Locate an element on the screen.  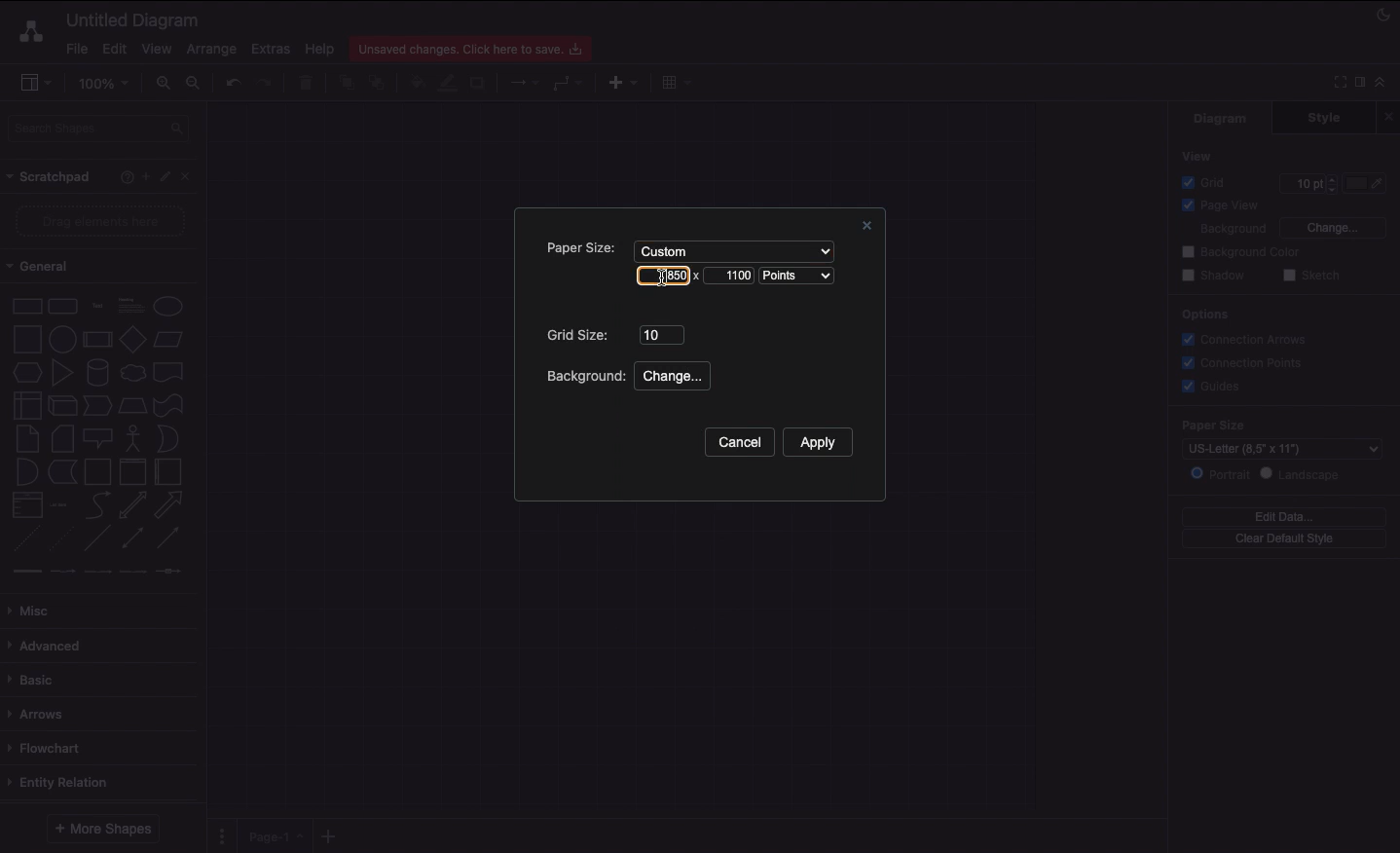
Curved arrow is located at coordinates (97, 503).